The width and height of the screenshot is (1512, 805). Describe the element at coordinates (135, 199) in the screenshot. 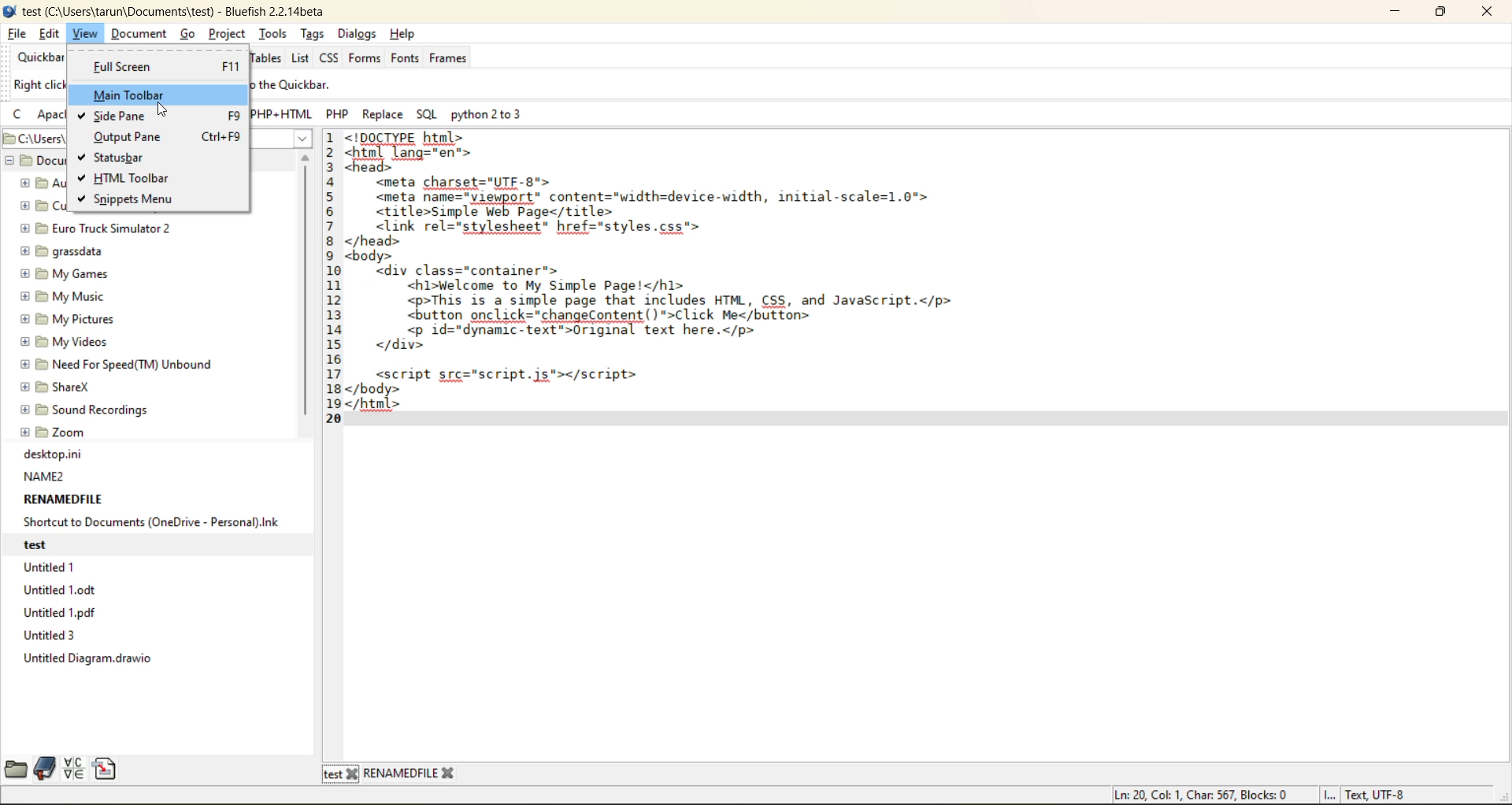

I see `snippets menu` at that location.